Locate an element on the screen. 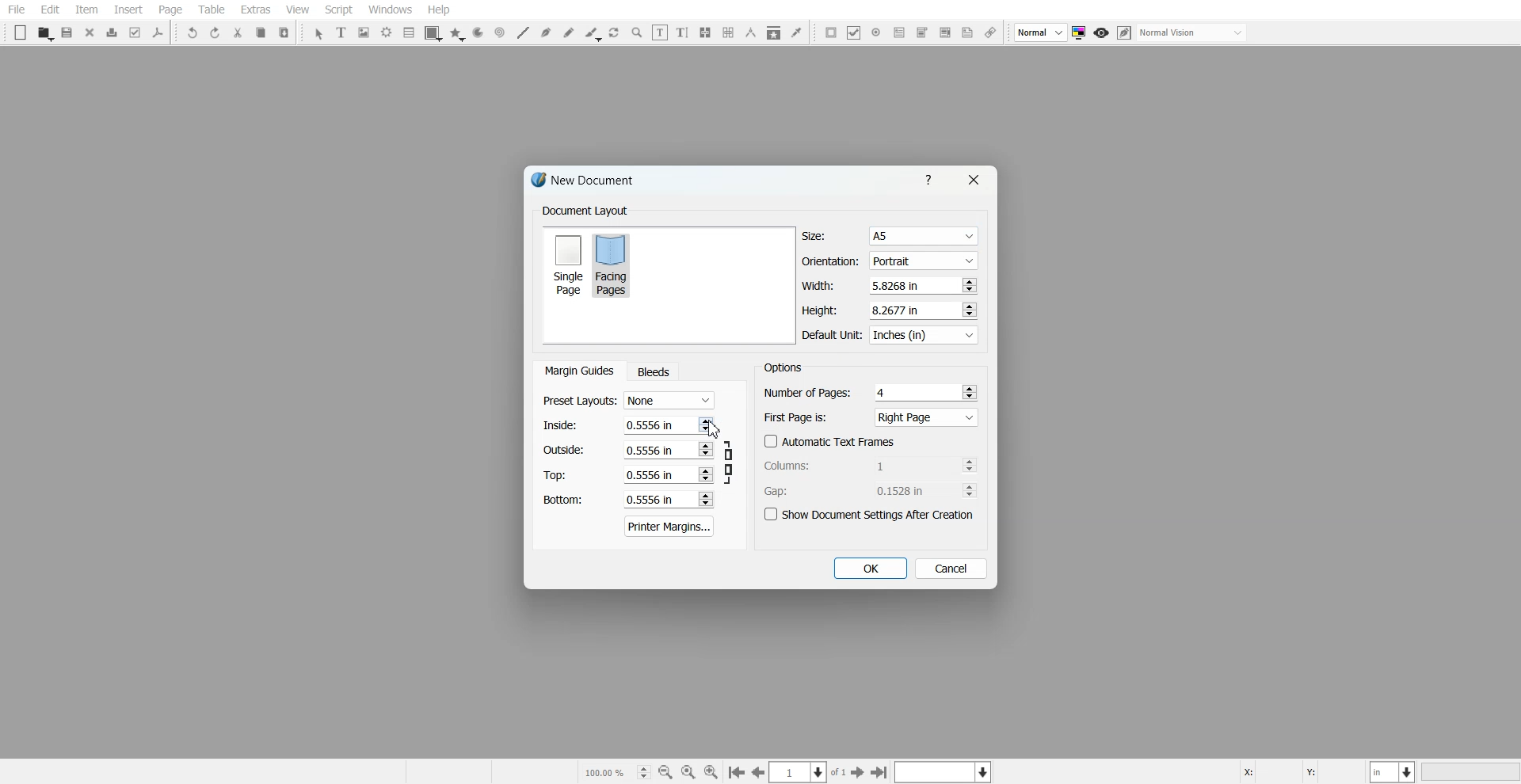 The image size is (1521, 784). Edit contents of frame is located at coordinates (660, 32).